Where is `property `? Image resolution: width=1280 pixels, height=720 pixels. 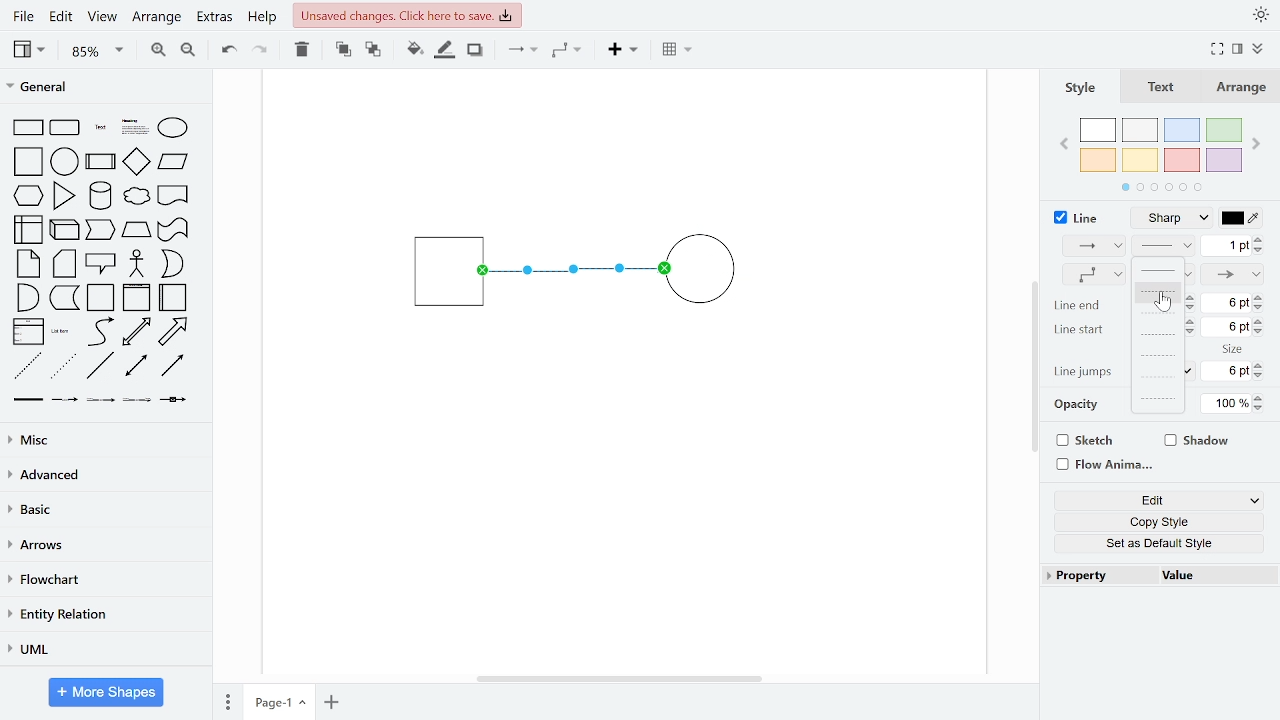
property  is located at coordinates (1097, 574).